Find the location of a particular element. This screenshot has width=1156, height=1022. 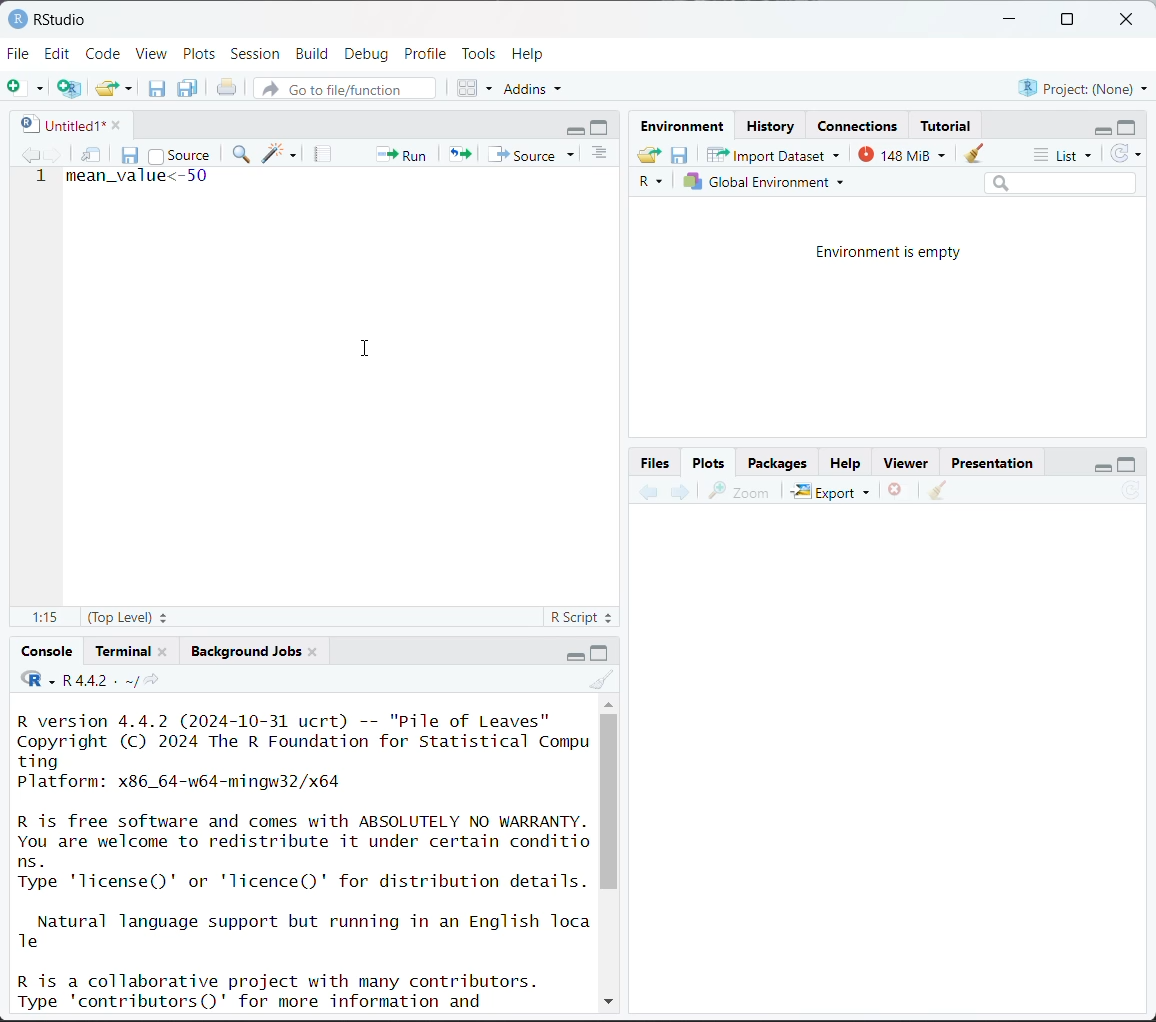

show document outline is located at coordinates (603, 155).